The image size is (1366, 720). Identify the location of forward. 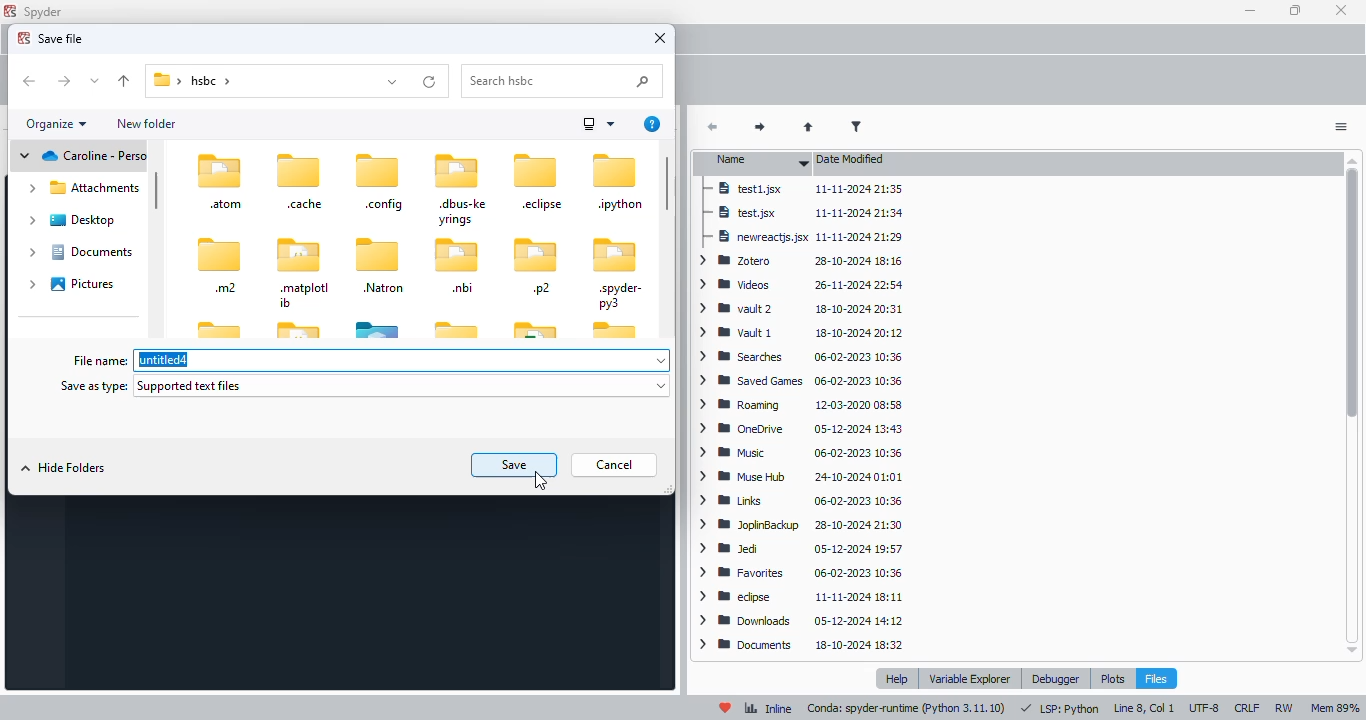
(65, 81).